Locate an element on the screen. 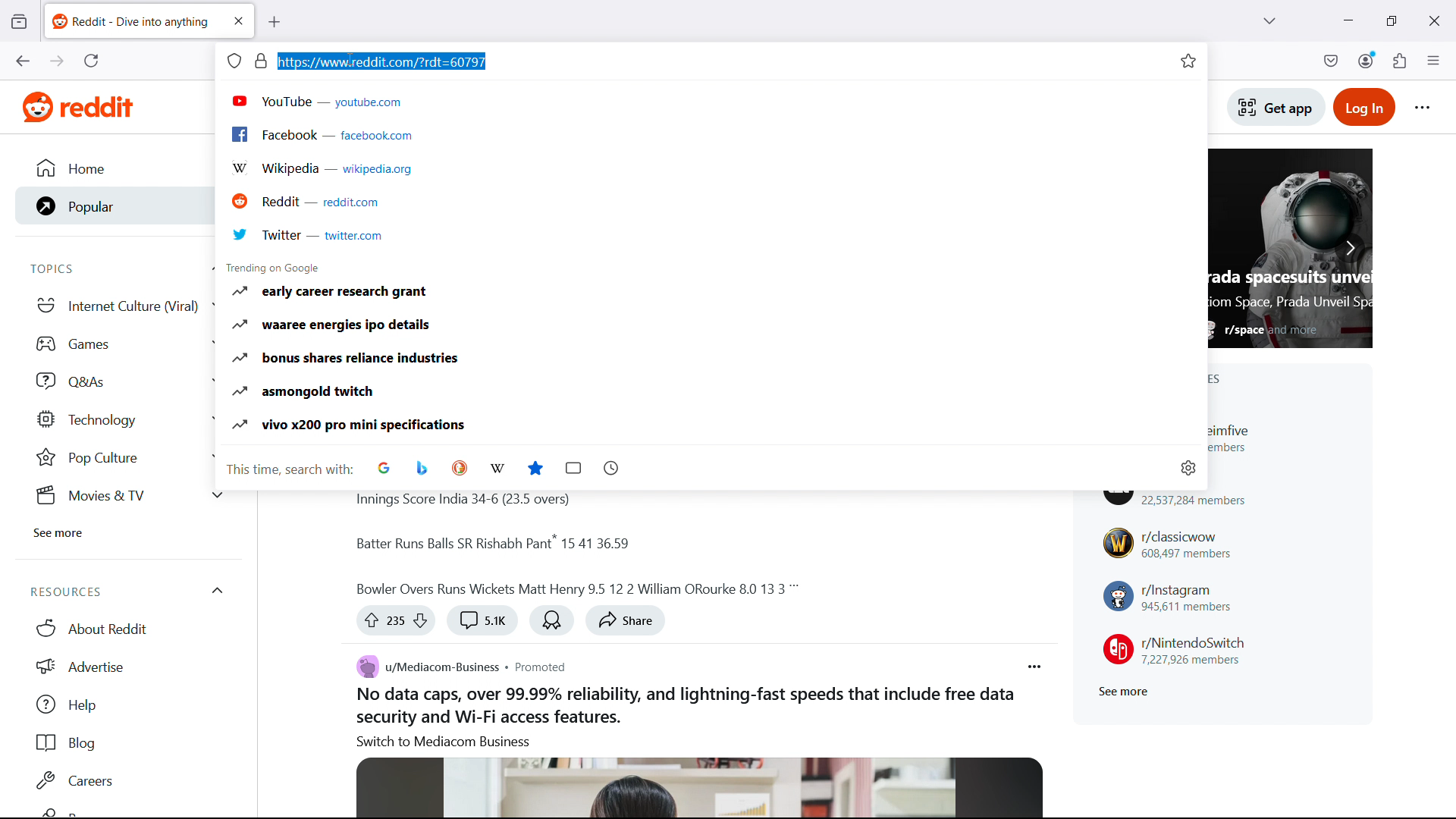 This screenshot has height=819, width=1456. Wikipedia.org is located at coordinates (713, 167).